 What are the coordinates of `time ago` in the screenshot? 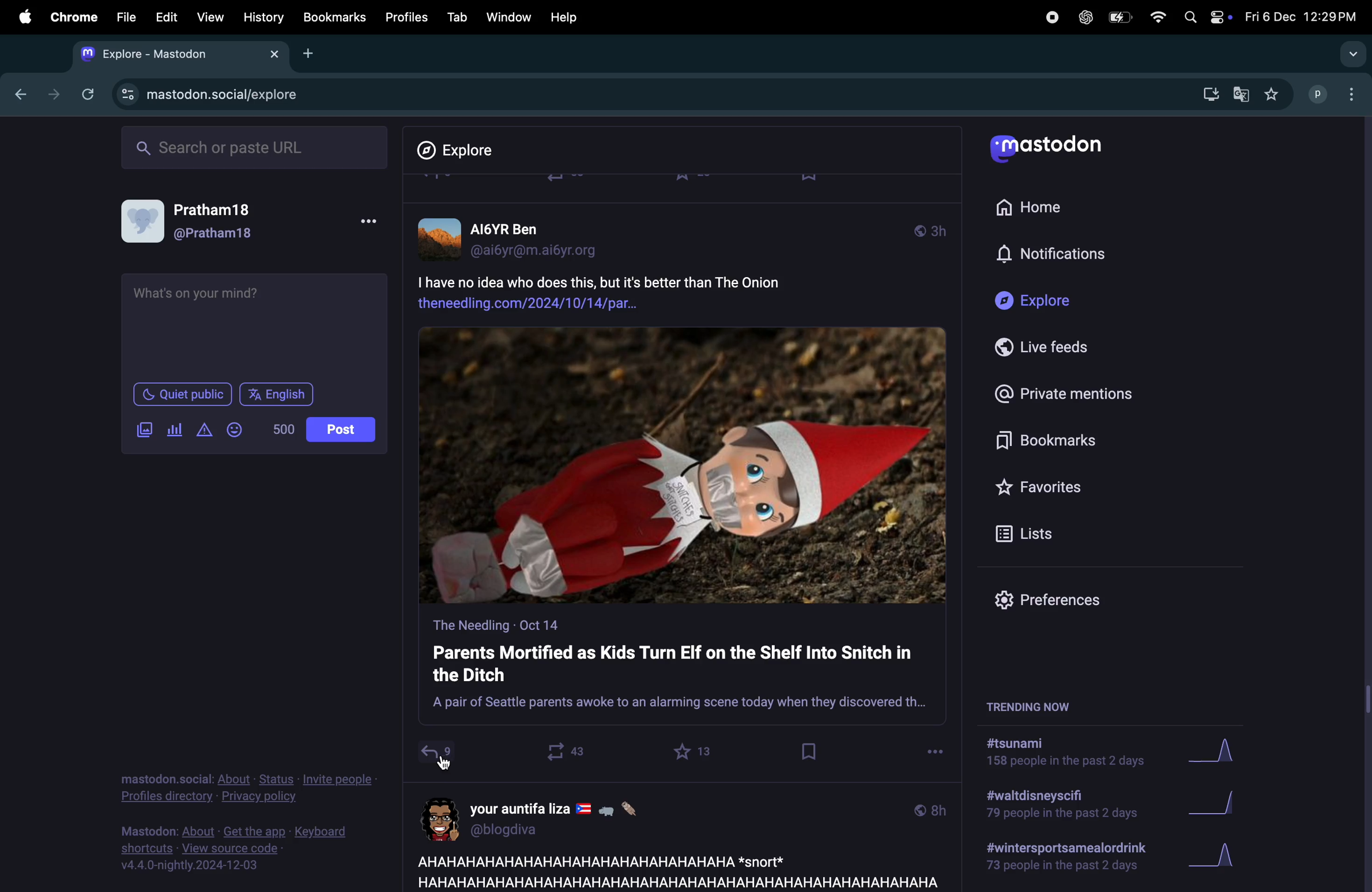 It's located at (930, 229).